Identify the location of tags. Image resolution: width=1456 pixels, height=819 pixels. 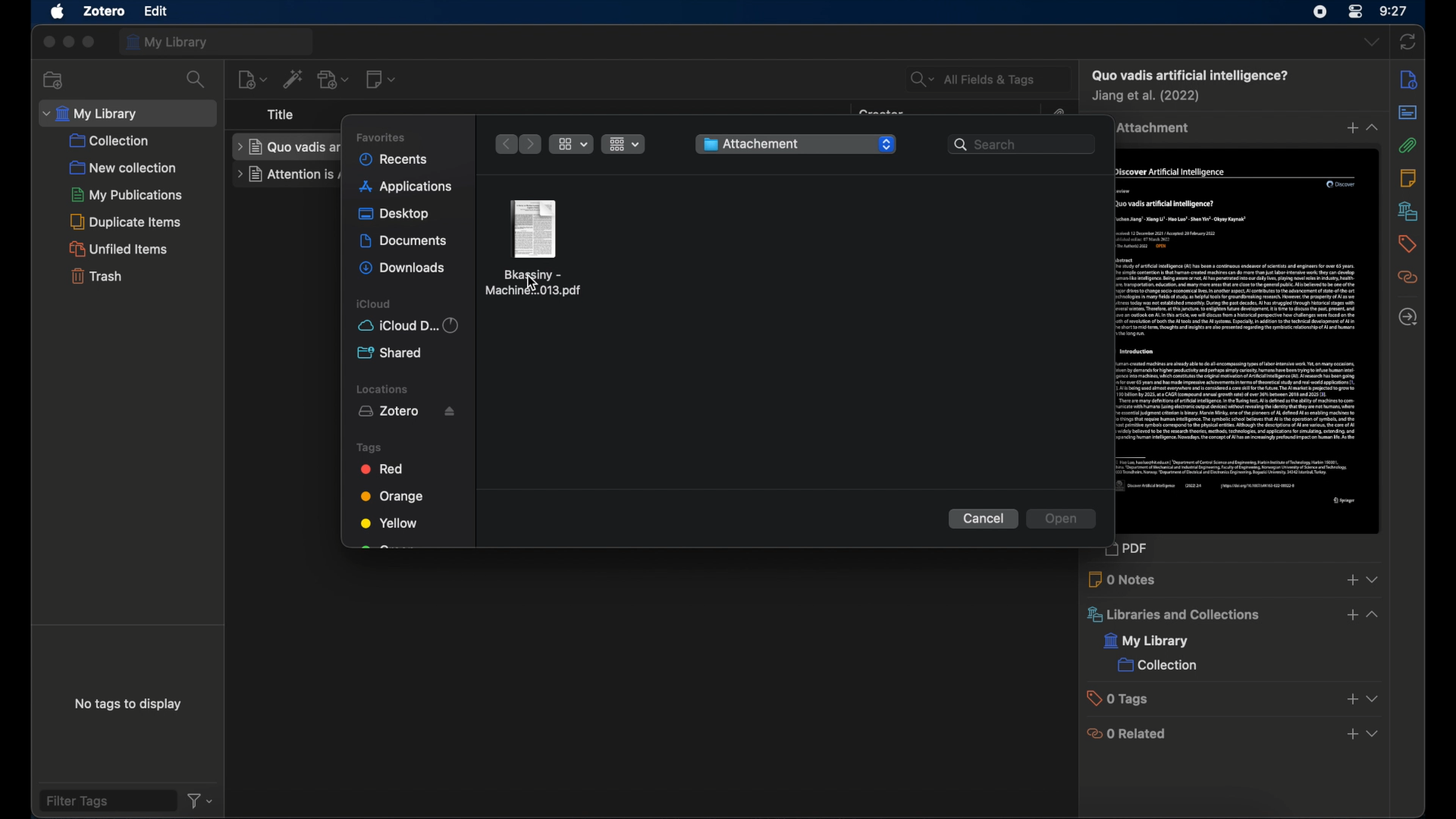
(1406, 243).